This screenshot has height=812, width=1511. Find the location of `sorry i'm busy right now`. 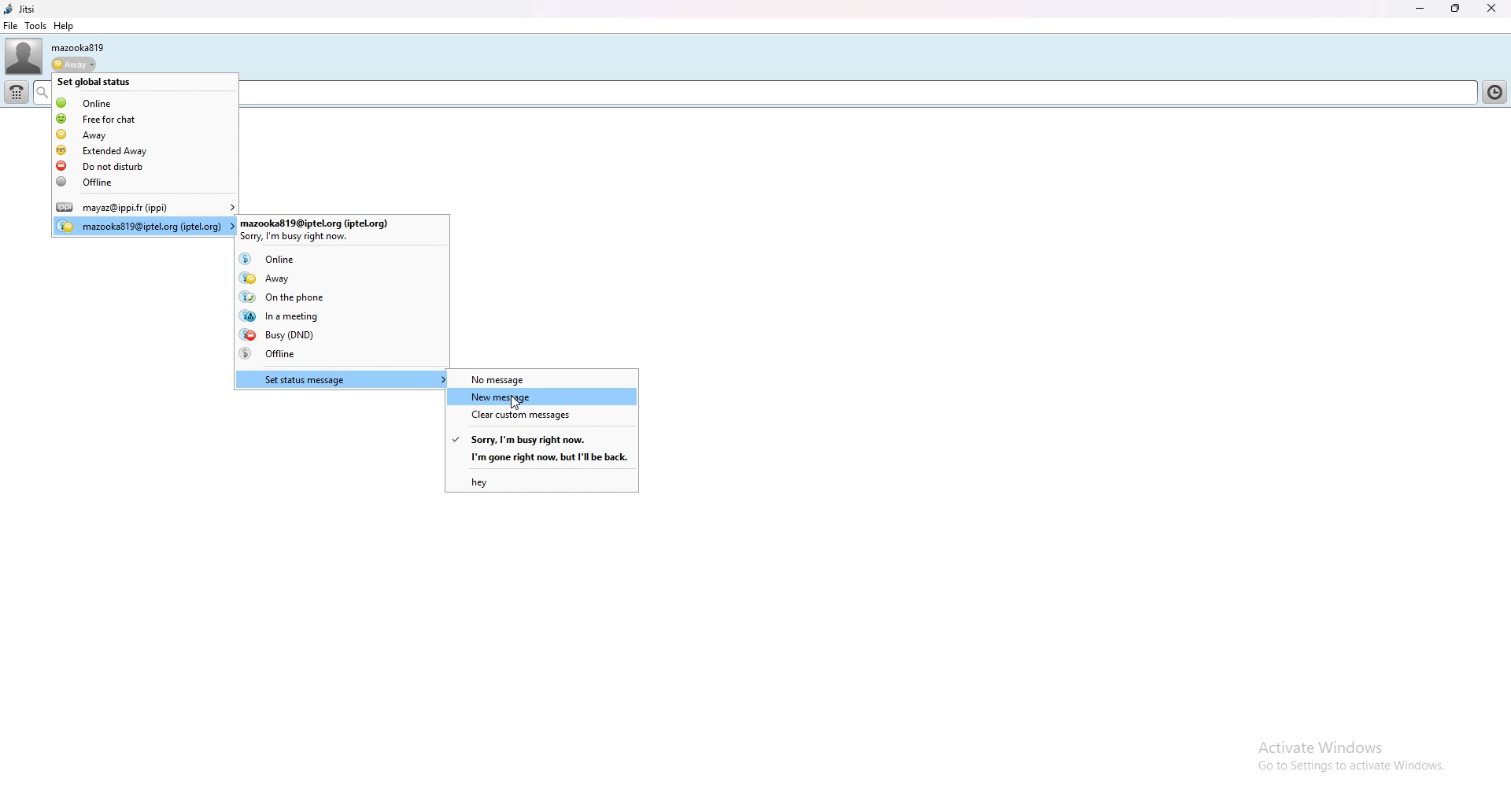

sorry i'm busy right now is located at coordinates (542, 438).